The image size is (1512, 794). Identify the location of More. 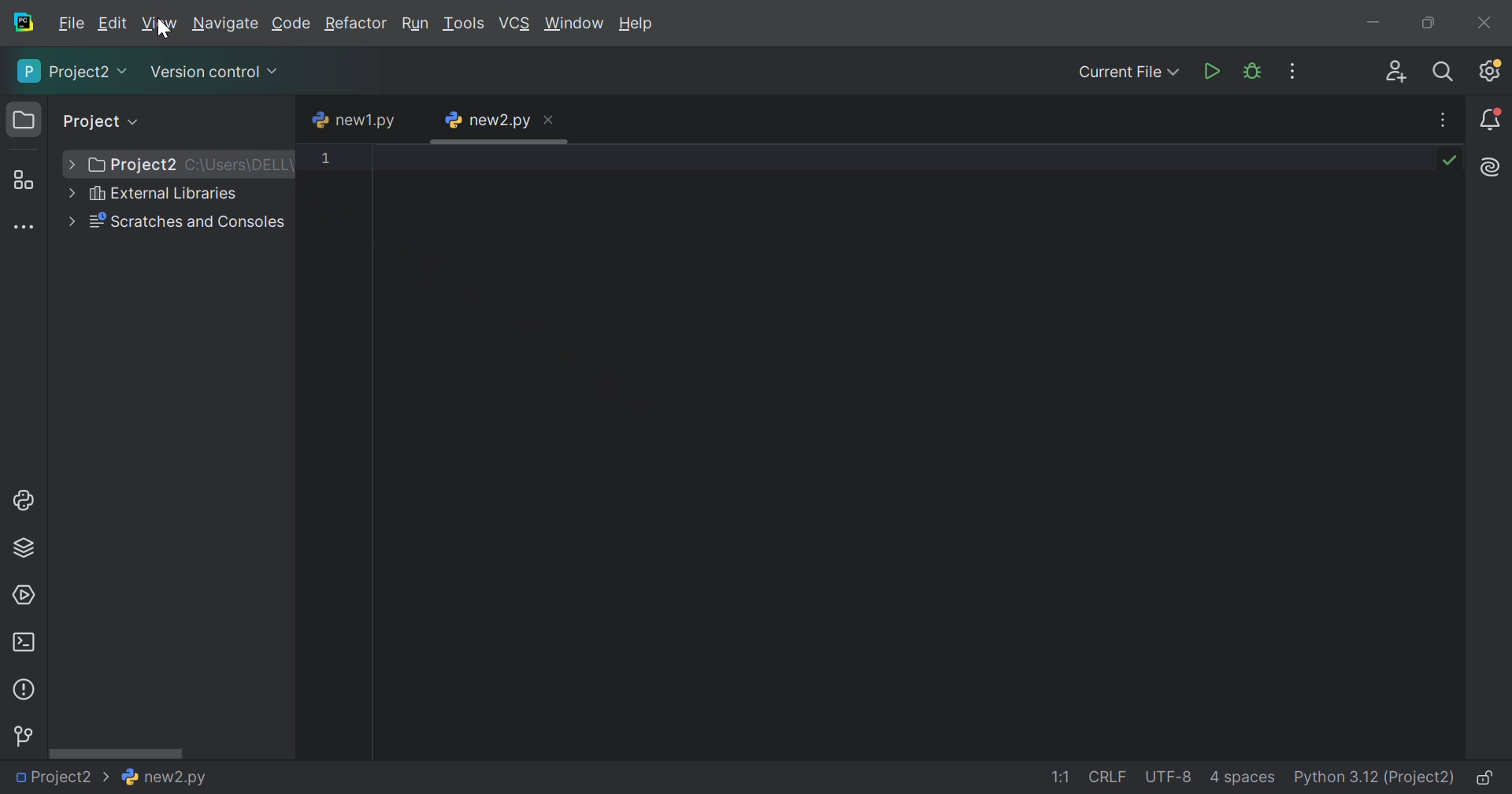
(72, 192).